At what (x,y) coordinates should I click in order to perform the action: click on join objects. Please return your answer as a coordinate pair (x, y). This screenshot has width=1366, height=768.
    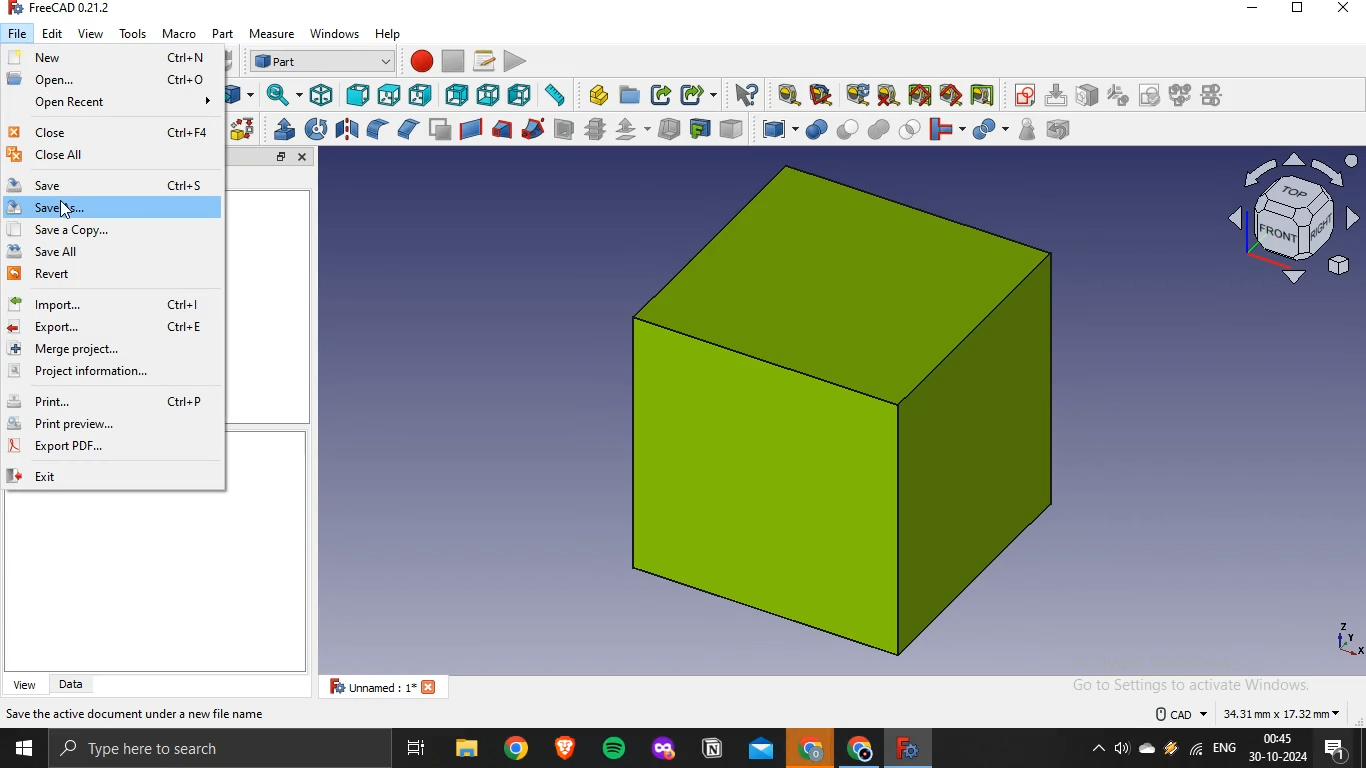
    Looking at the image, I should click on (944, 127).